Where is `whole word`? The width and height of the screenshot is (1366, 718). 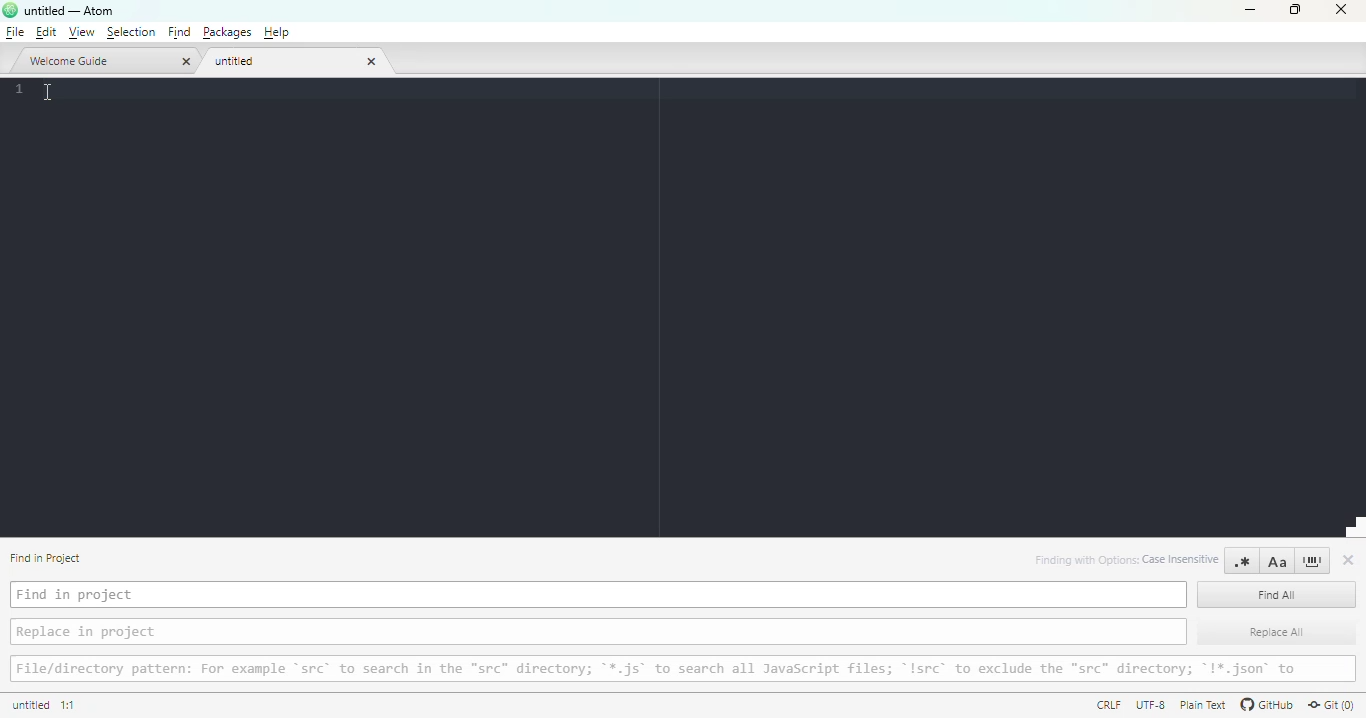 whole word is located at coordinates (1312, 561).